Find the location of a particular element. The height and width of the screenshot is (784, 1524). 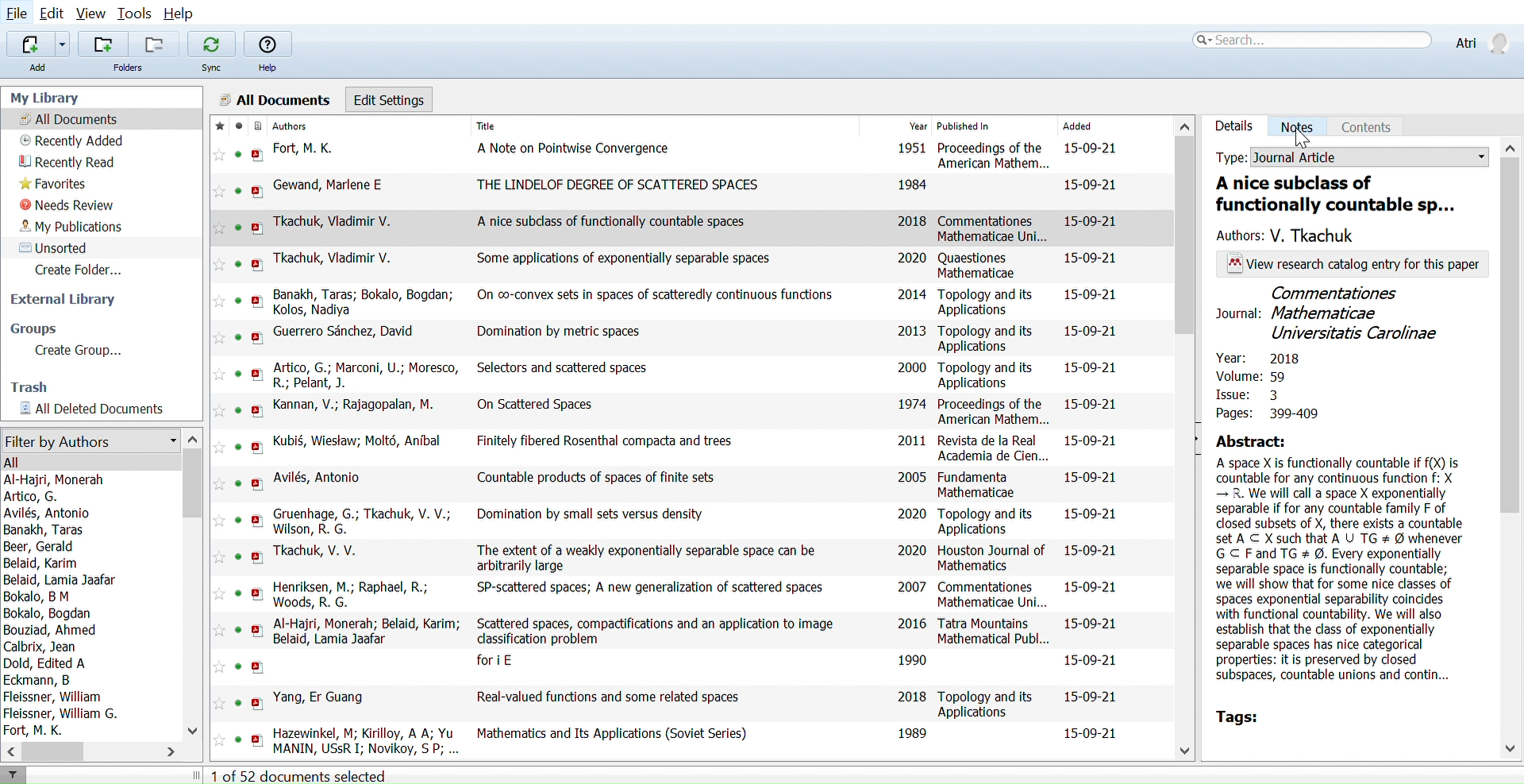

open PDF is located at coordinates (256, 264).